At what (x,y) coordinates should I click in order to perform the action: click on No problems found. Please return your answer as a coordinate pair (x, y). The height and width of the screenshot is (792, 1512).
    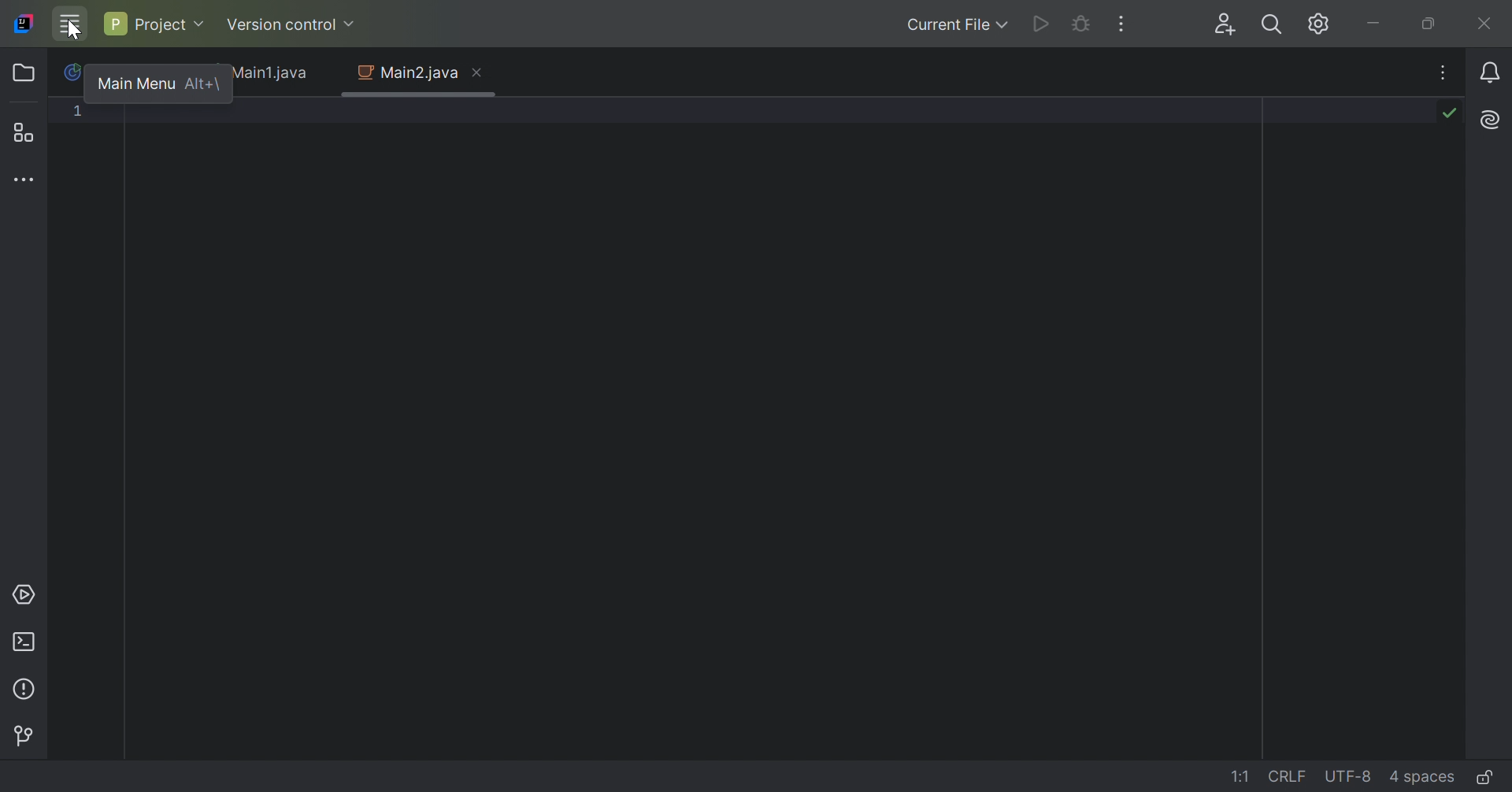
    Looking at the image, I should click on (1447, 113).